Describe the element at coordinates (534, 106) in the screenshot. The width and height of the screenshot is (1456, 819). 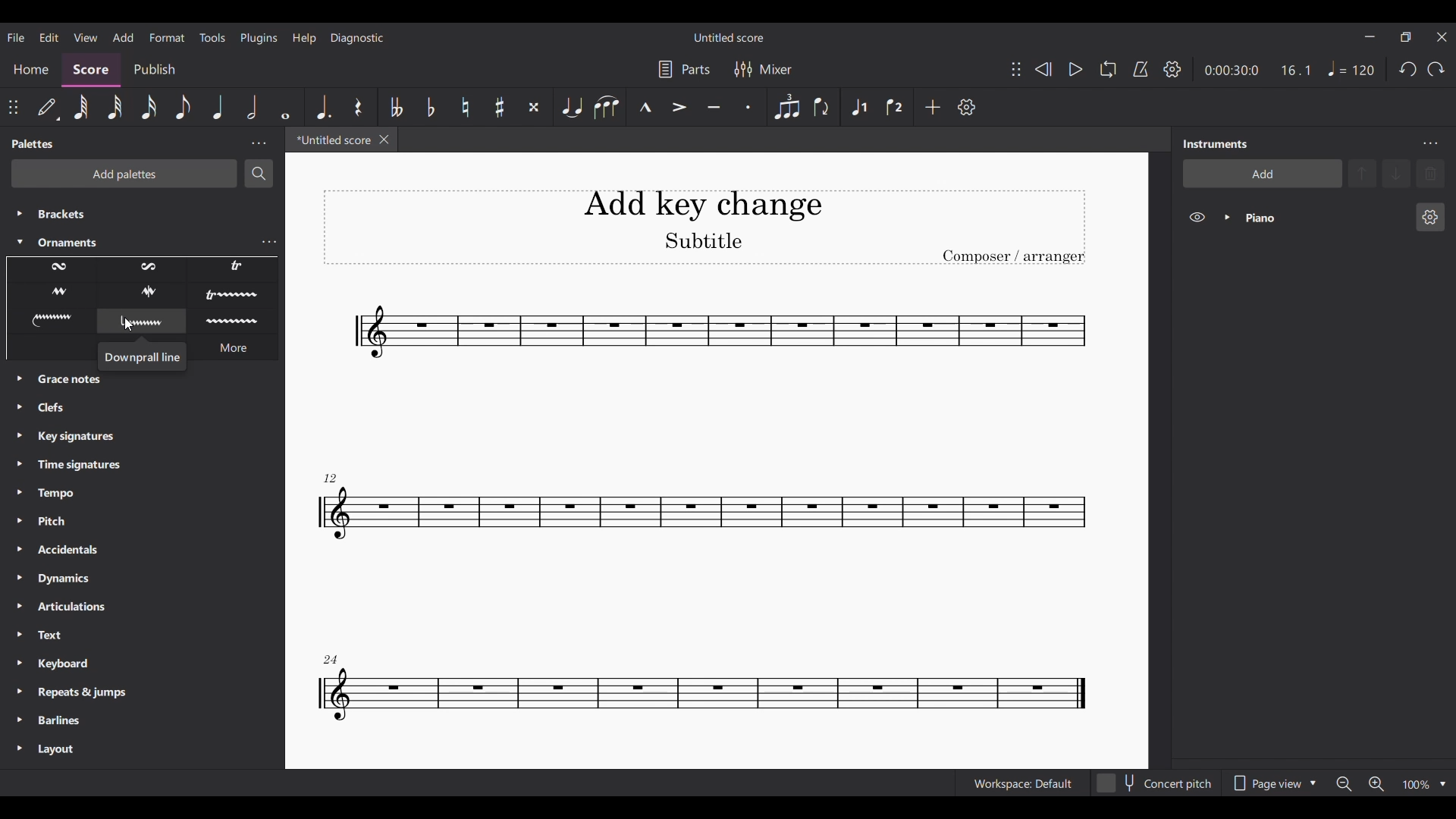
I see `Toggle double sharp` at that location.